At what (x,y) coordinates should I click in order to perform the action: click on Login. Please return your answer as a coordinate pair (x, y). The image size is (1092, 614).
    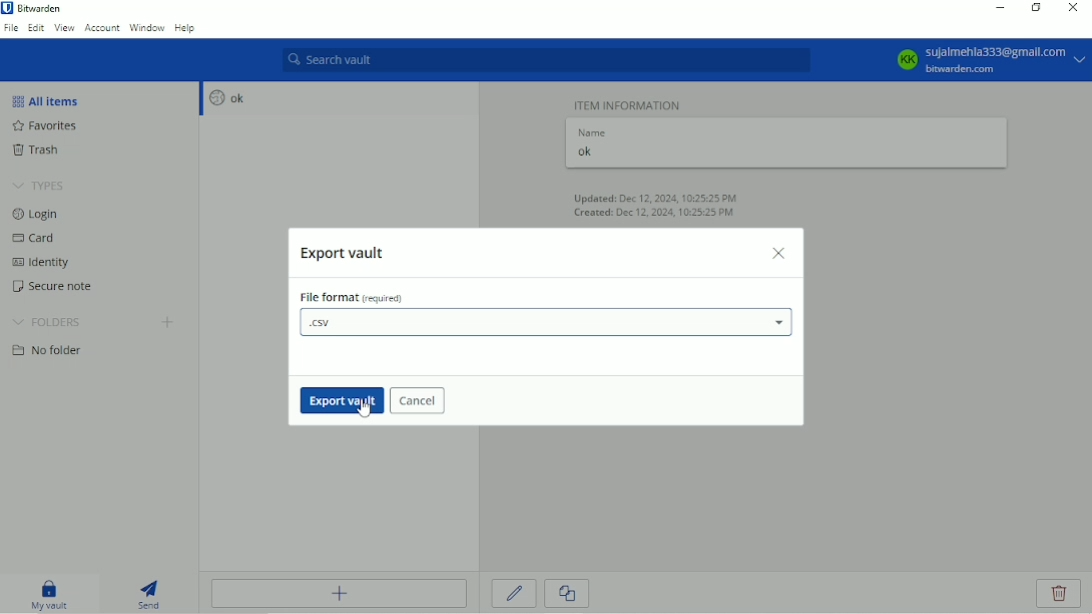
    Looking at the image, I should click on (36, 214).